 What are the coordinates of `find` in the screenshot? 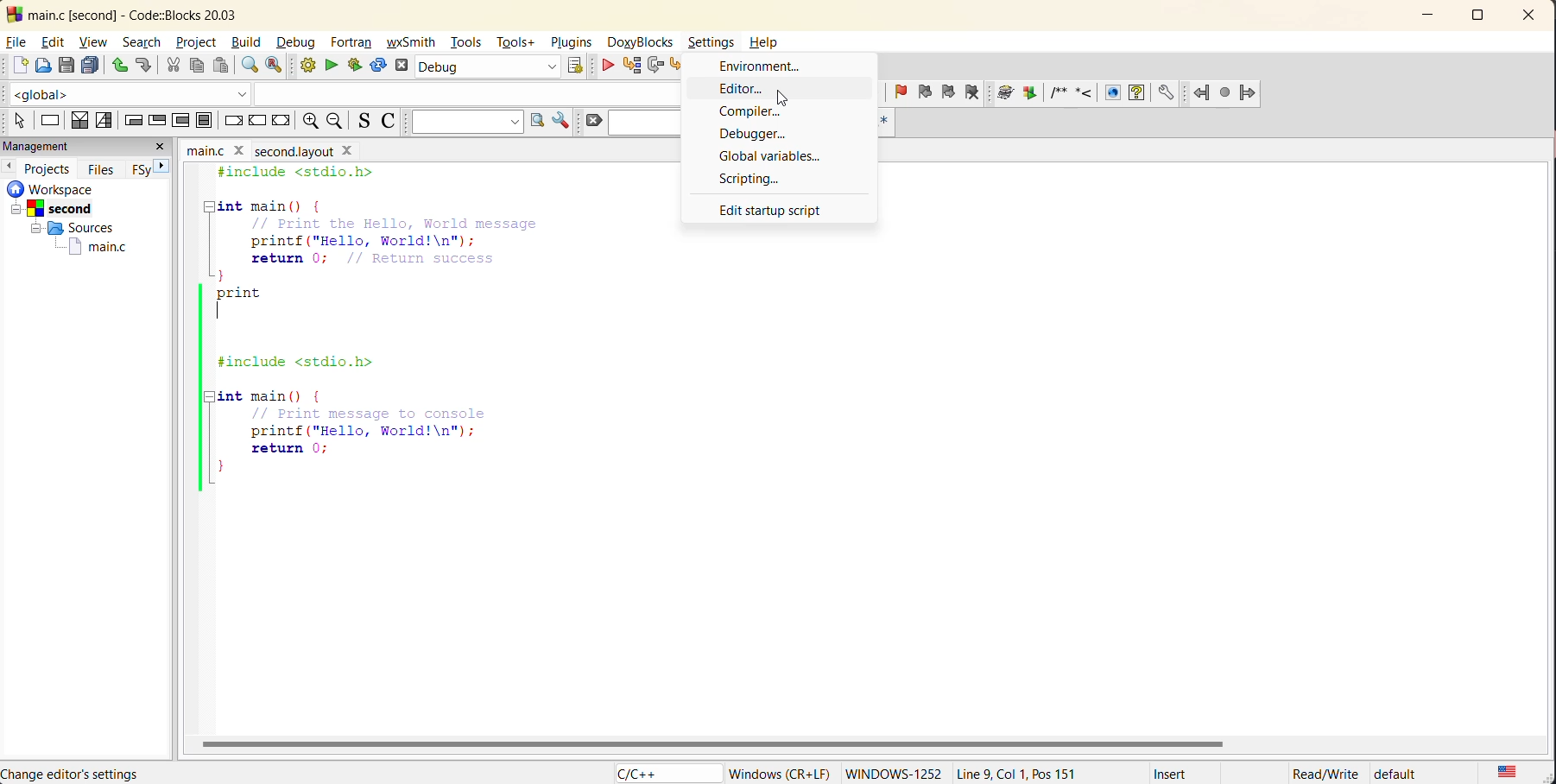 It's located at (247, 66).